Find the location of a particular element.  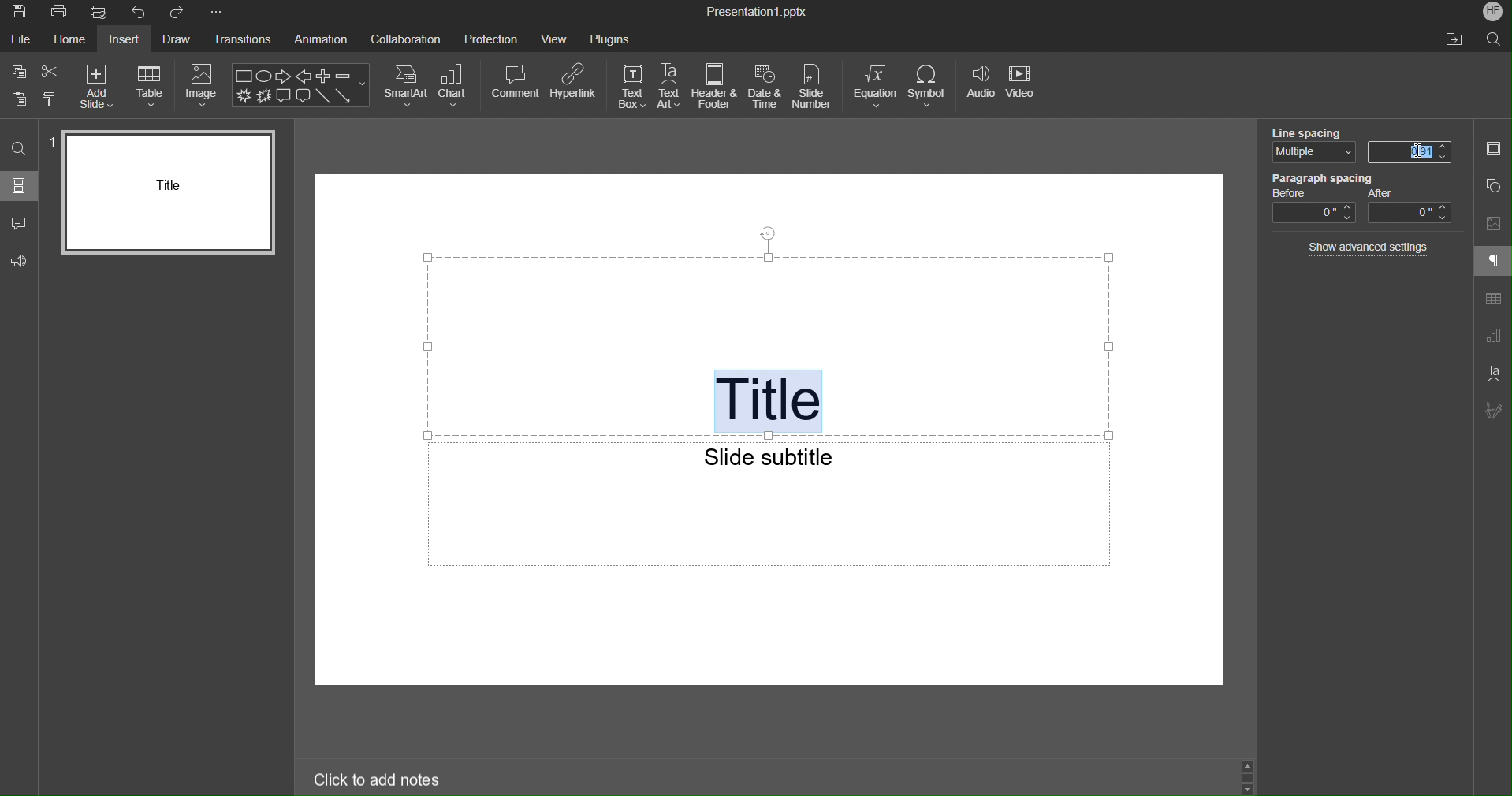

TextArt is located at coordinates (673, 86).